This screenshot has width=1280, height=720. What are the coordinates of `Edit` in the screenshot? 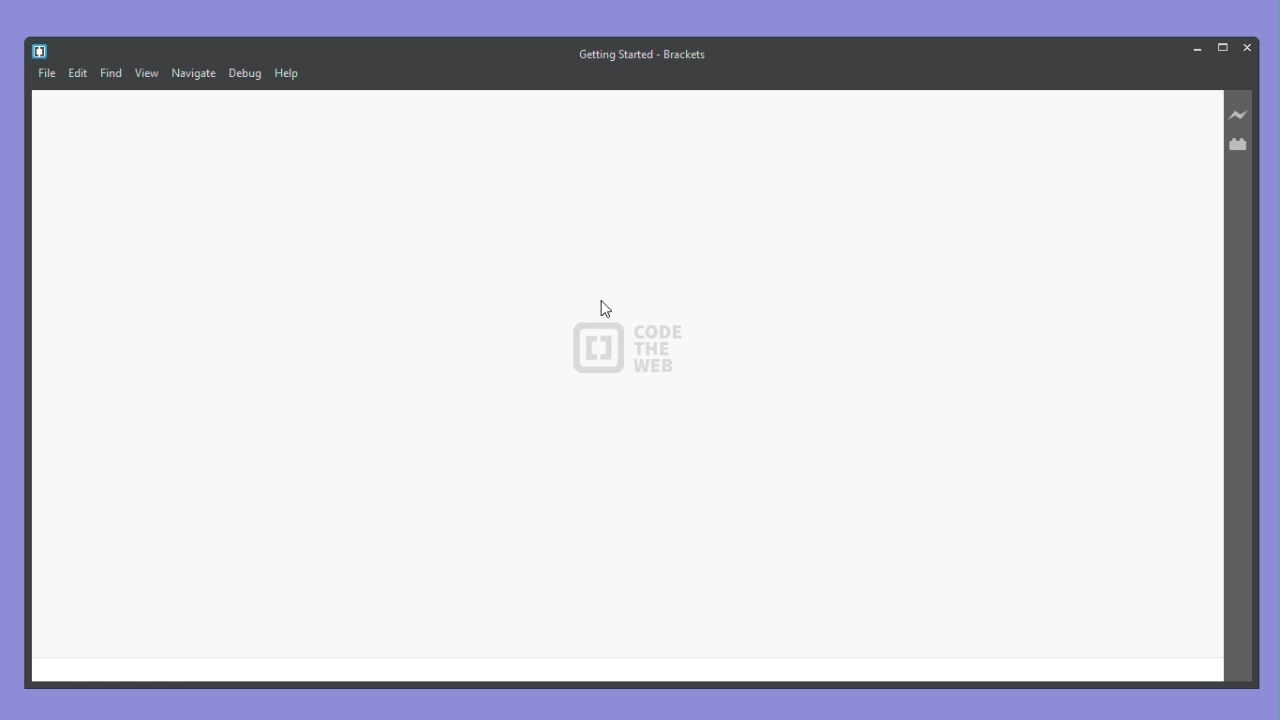 It's located at (78, 71).